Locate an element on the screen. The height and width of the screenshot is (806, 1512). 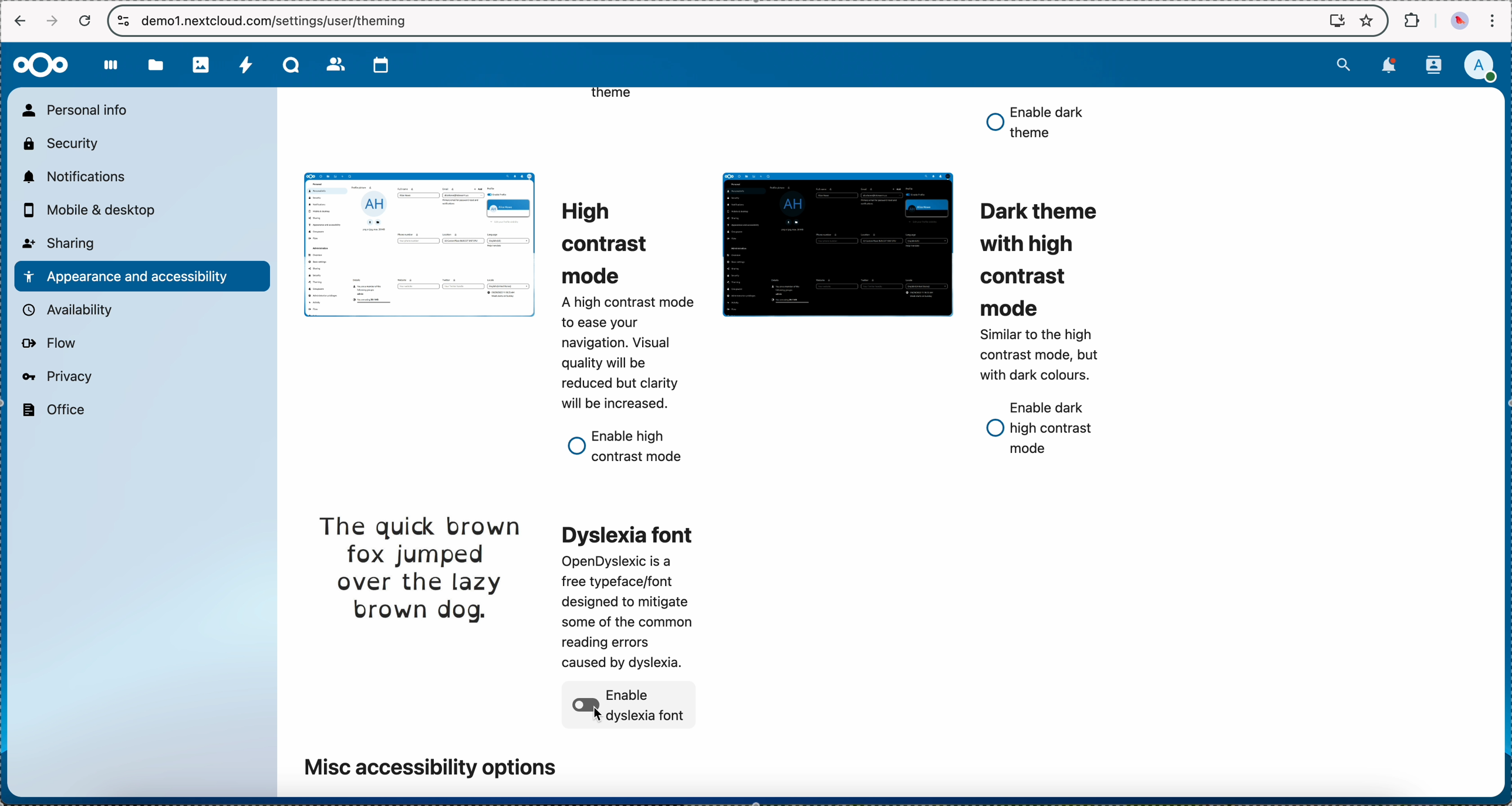
controls is located at coordinates (121, 21).